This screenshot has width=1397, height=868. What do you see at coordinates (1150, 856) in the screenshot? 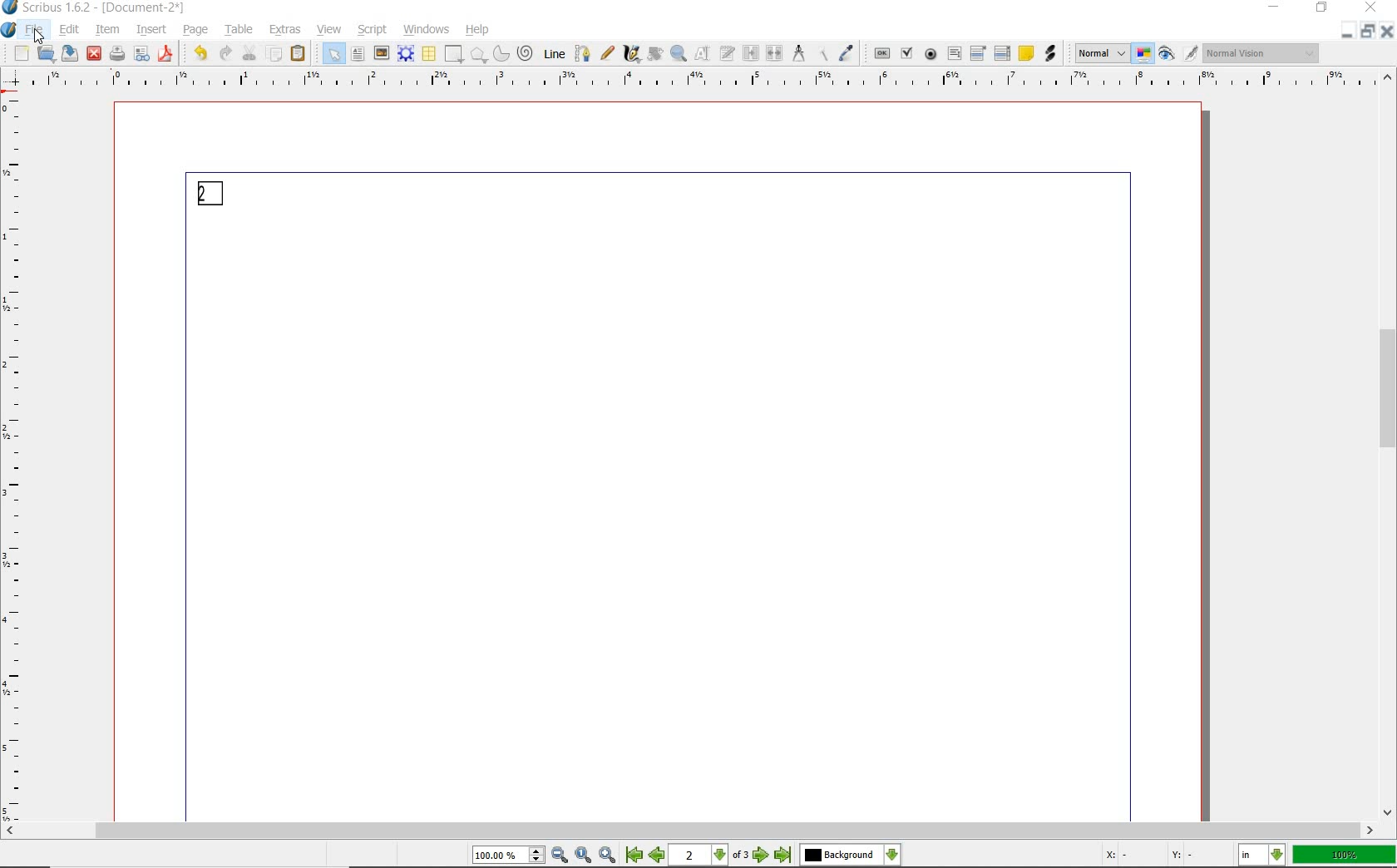
I see `Curspr Coordinates` at bounding box center [1150, 856].